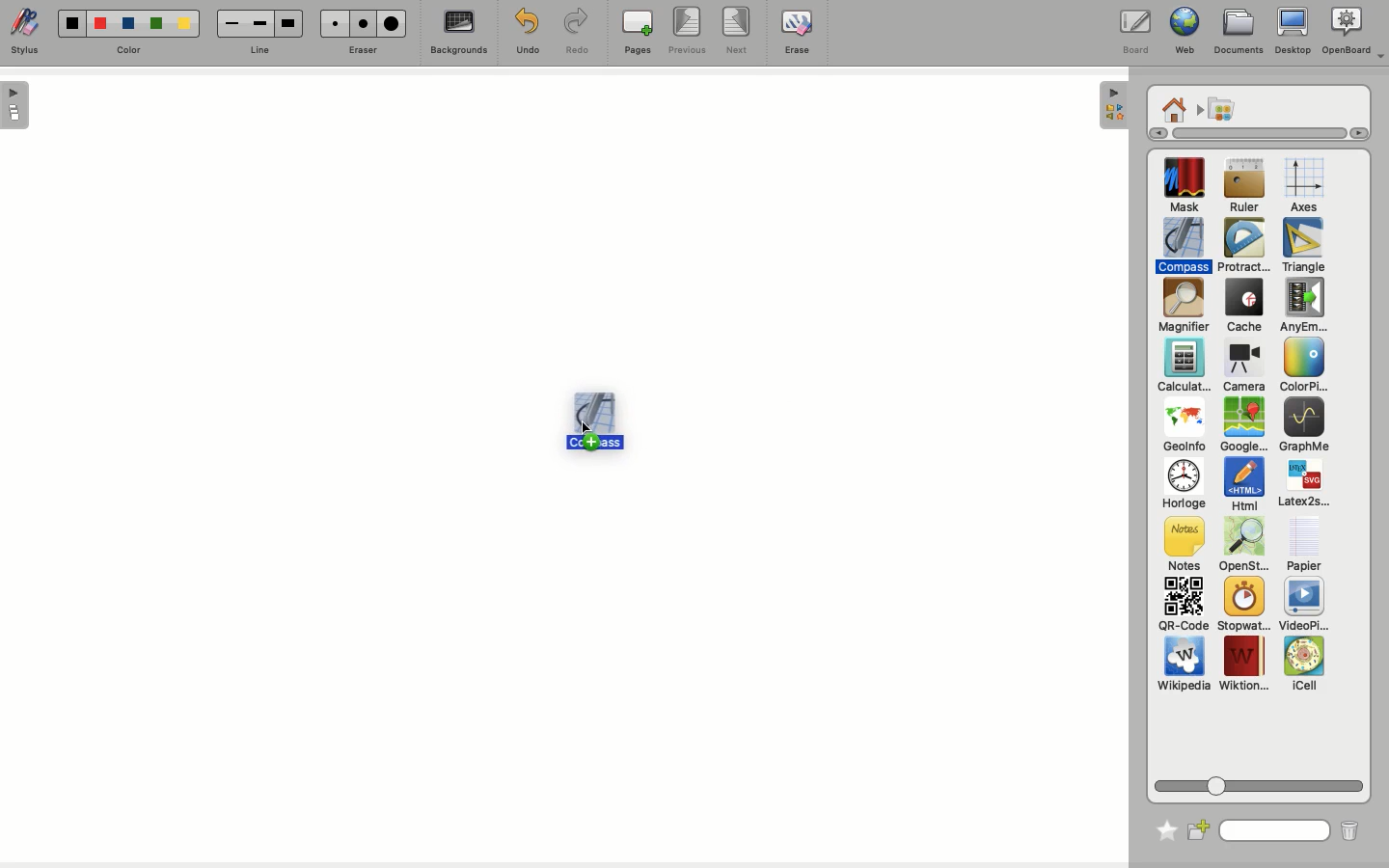 This screenshot has width=1389, height=868. What do you see at coordinates (1183, 485) in the screenshot?
I see `Horloge` at bounding box center [1183, 485].